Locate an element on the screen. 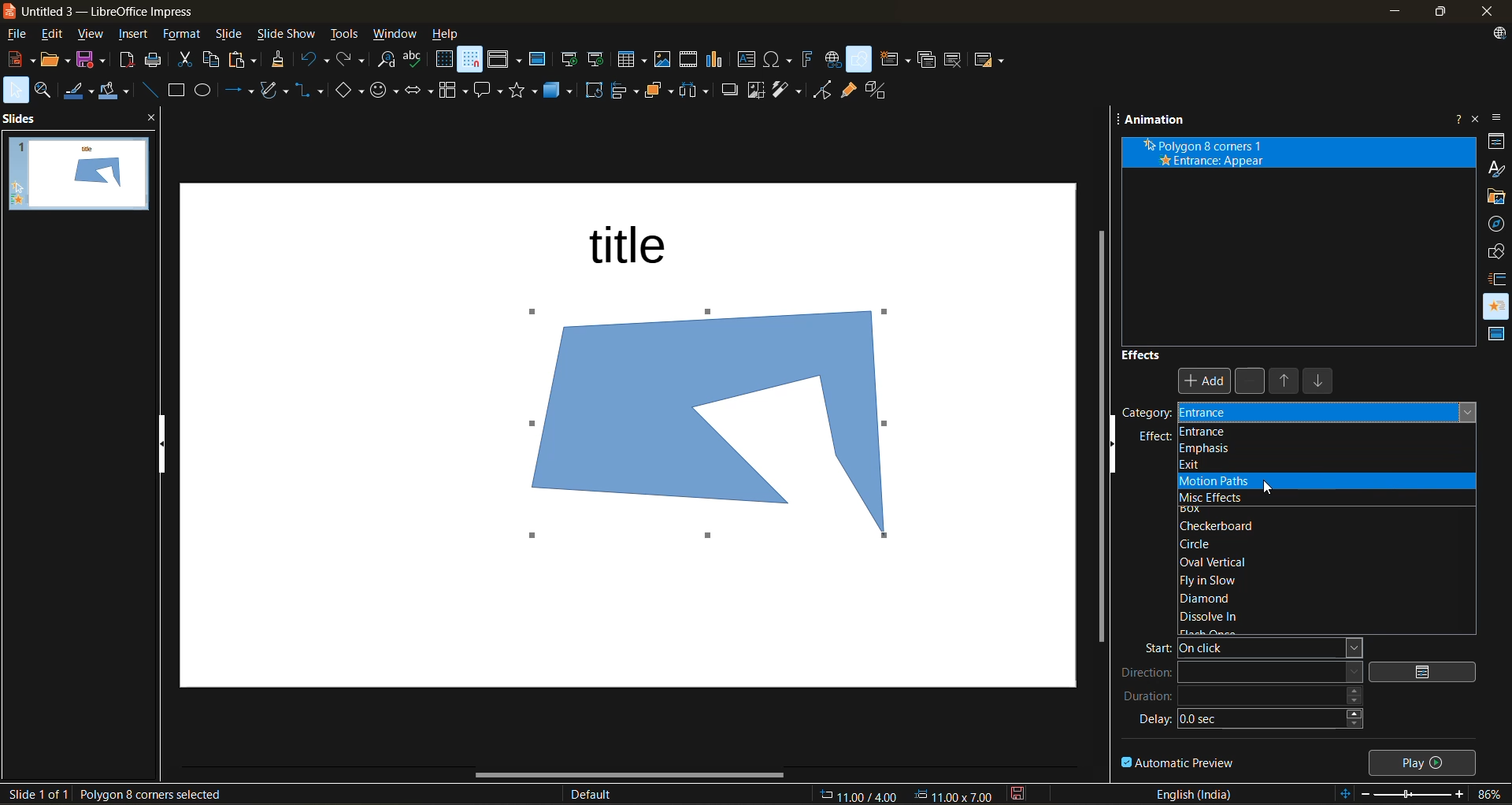  checker board is located at coordinates (1221, 525).